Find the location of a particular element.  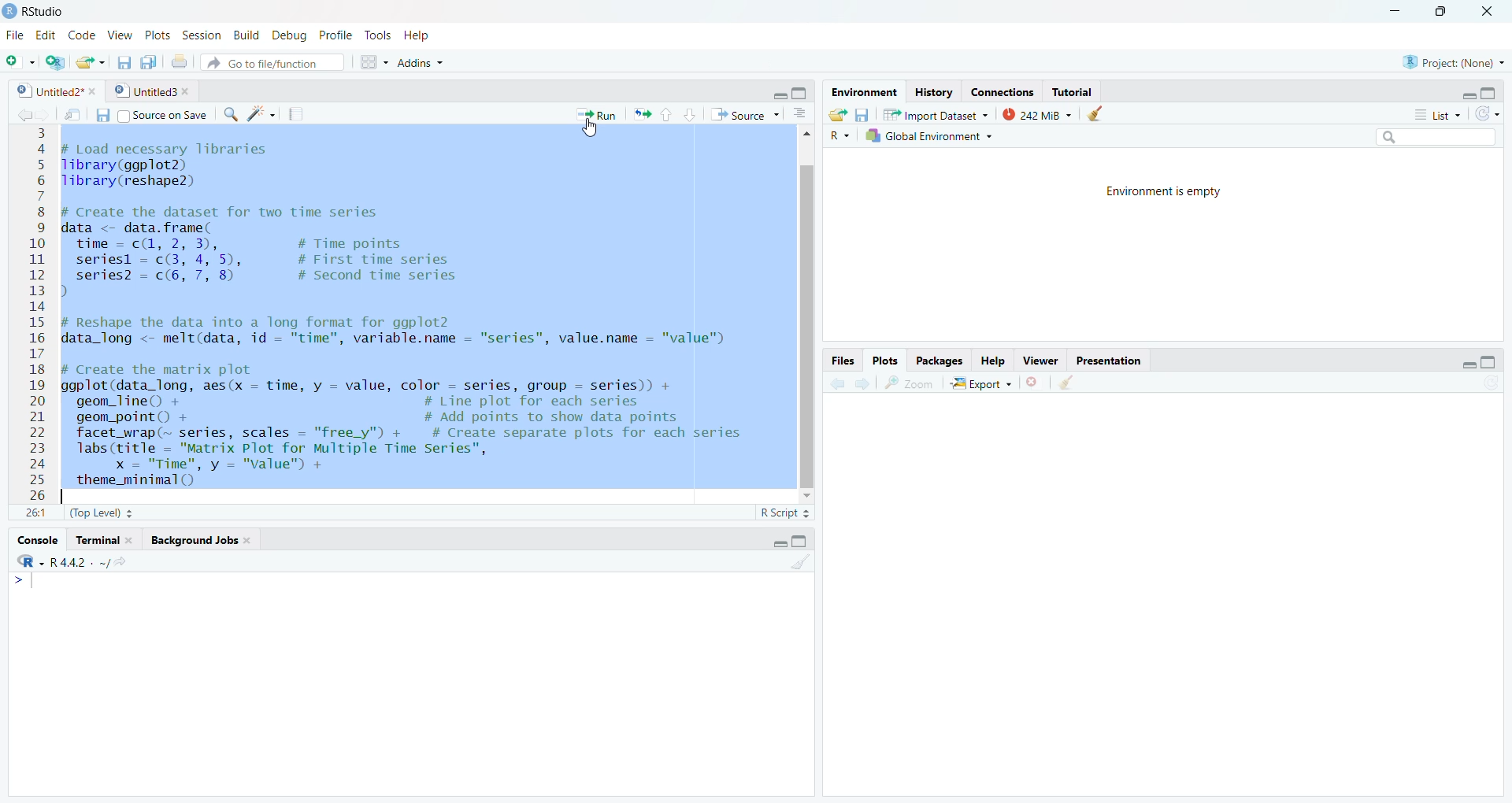

Files is located at coordinates (843, 361).